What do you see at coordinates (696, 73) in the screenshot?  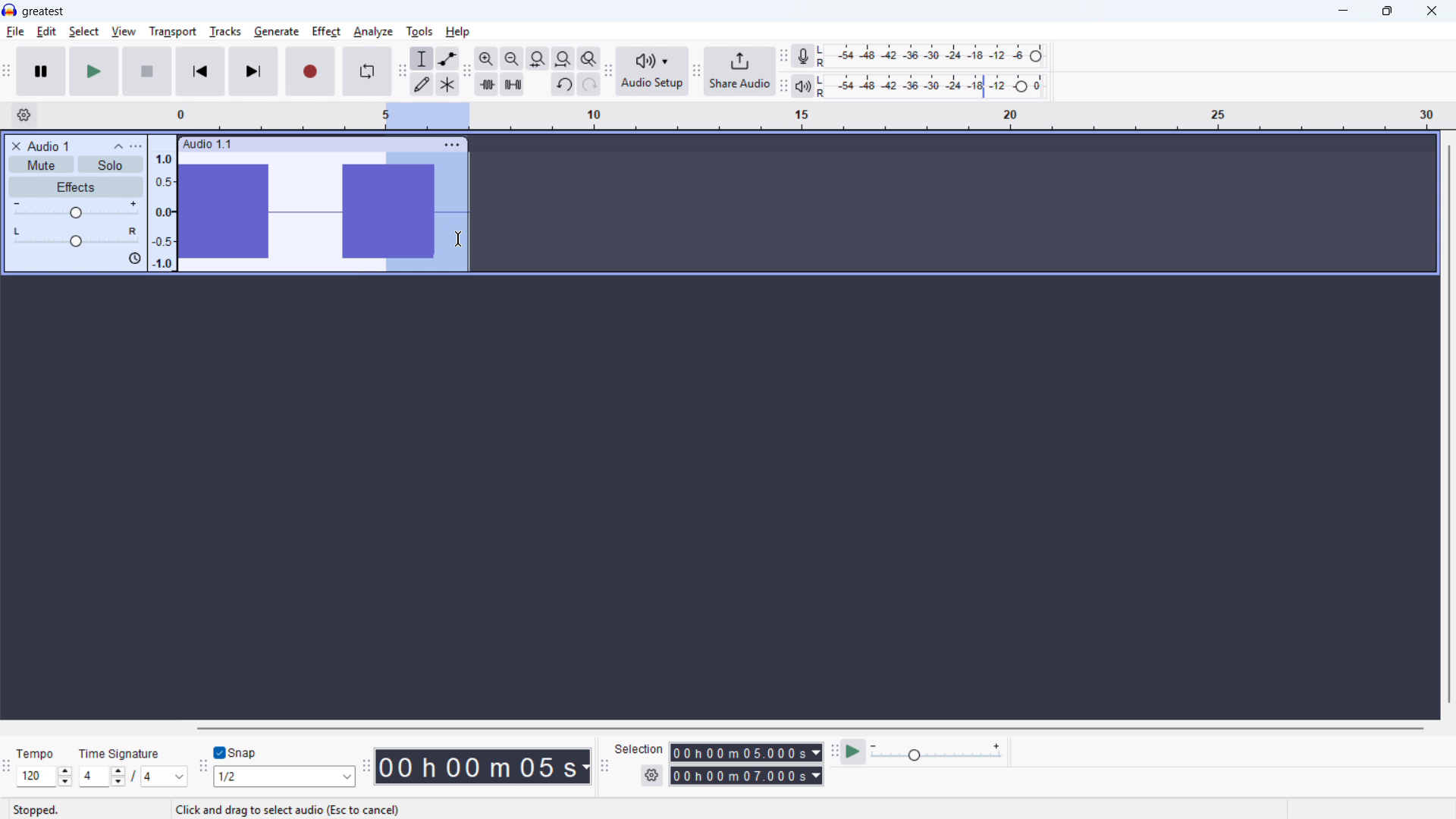 I see `` at bounding box center [696, 73].